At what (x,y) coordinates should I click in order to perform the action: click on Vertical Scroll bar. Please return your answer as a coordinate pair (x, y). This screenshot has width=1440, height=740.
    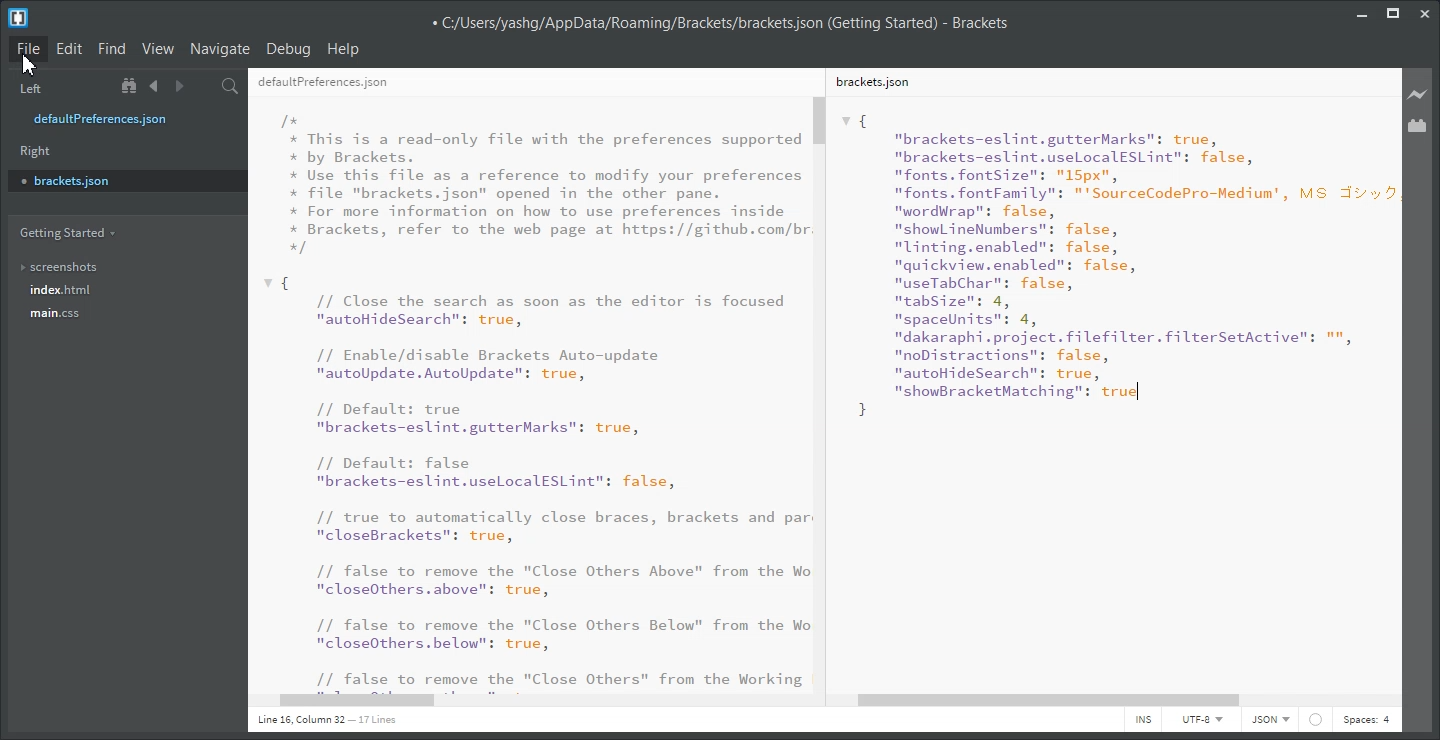
    Looking at the image, I should click on (823, 392).